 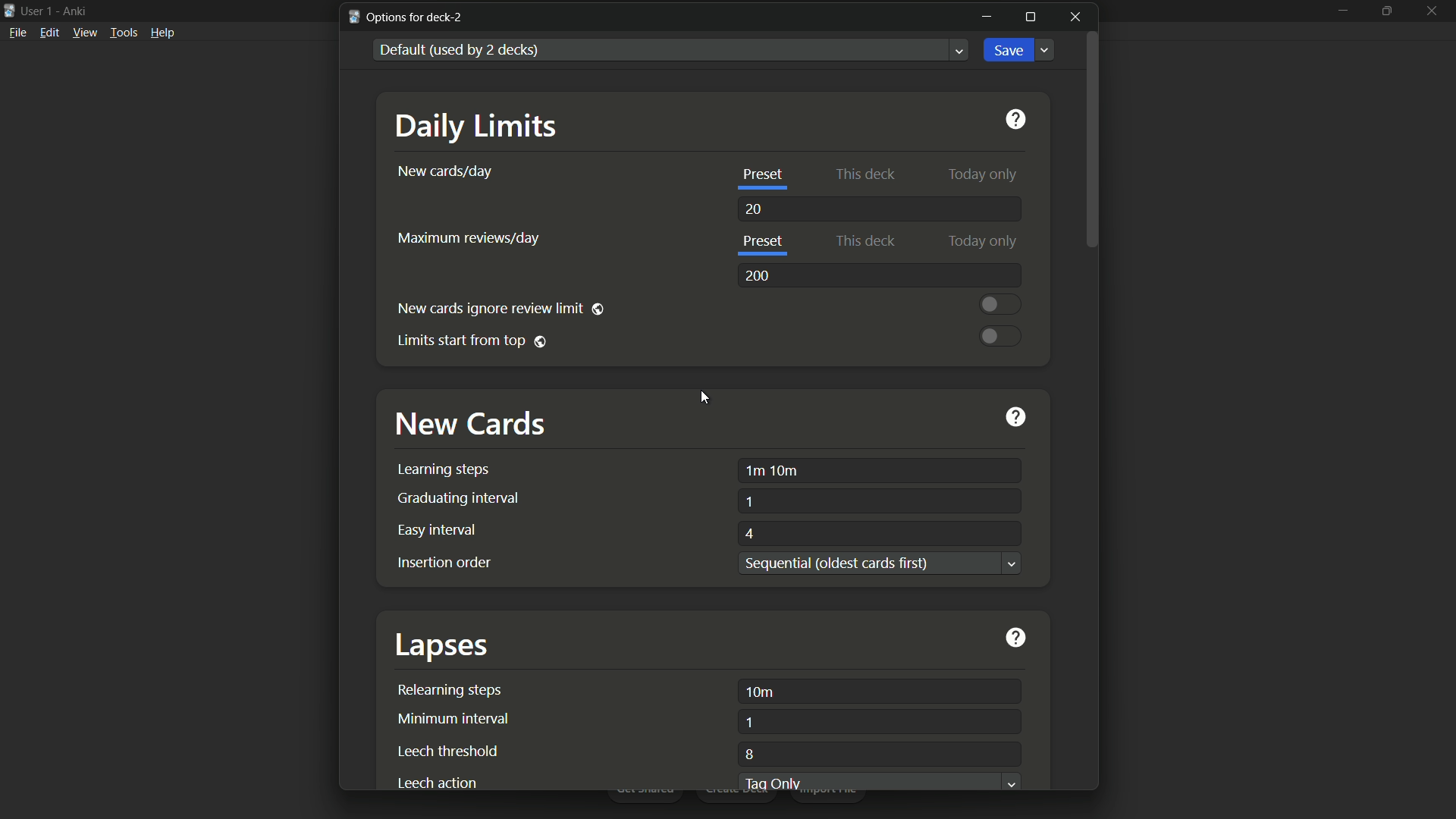 I want to click on 1, so click(x=752, y=503).